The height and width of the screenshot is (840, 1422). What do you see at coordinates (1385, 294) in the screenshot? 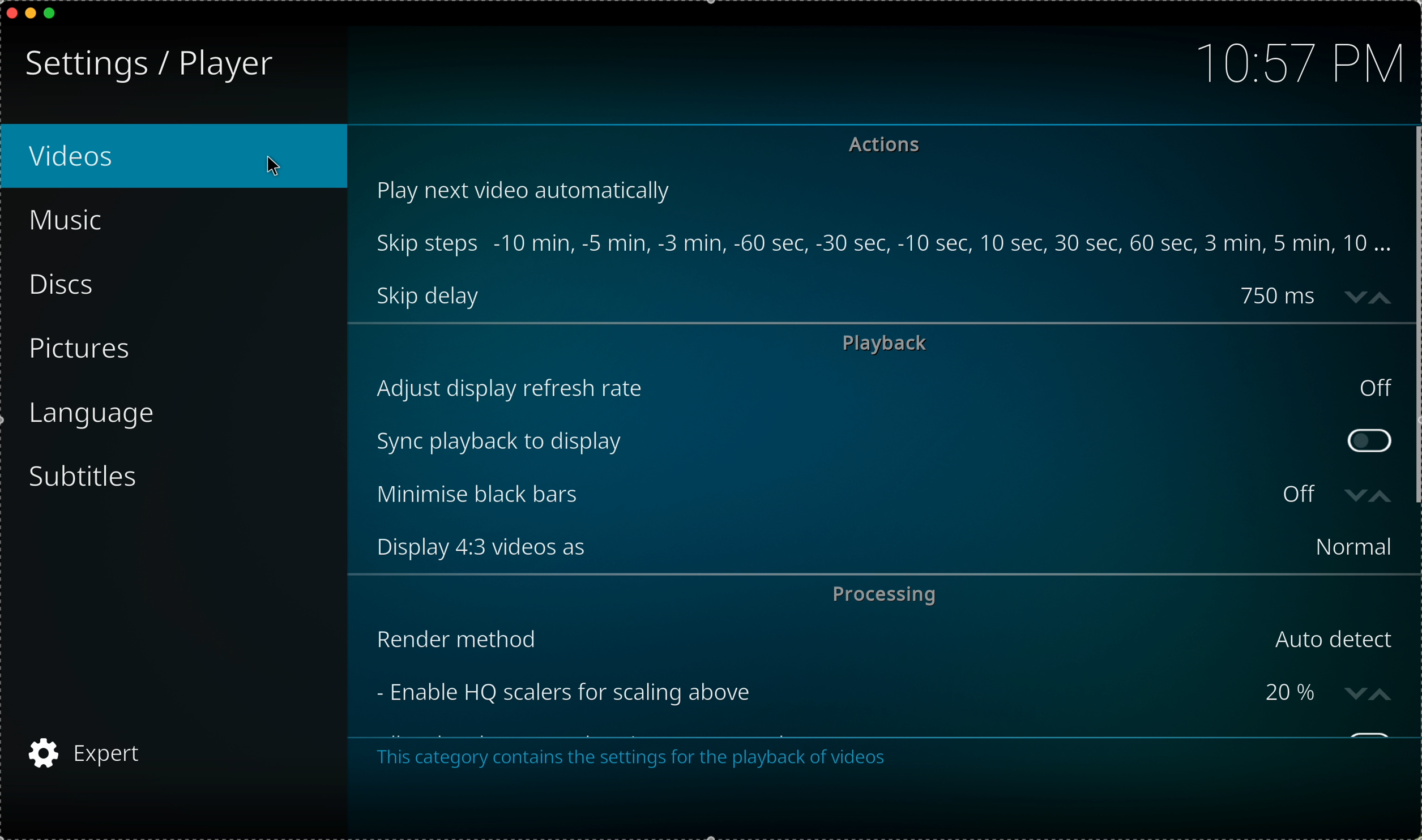
I see `increase value ` at bounding box center [1385, 294].